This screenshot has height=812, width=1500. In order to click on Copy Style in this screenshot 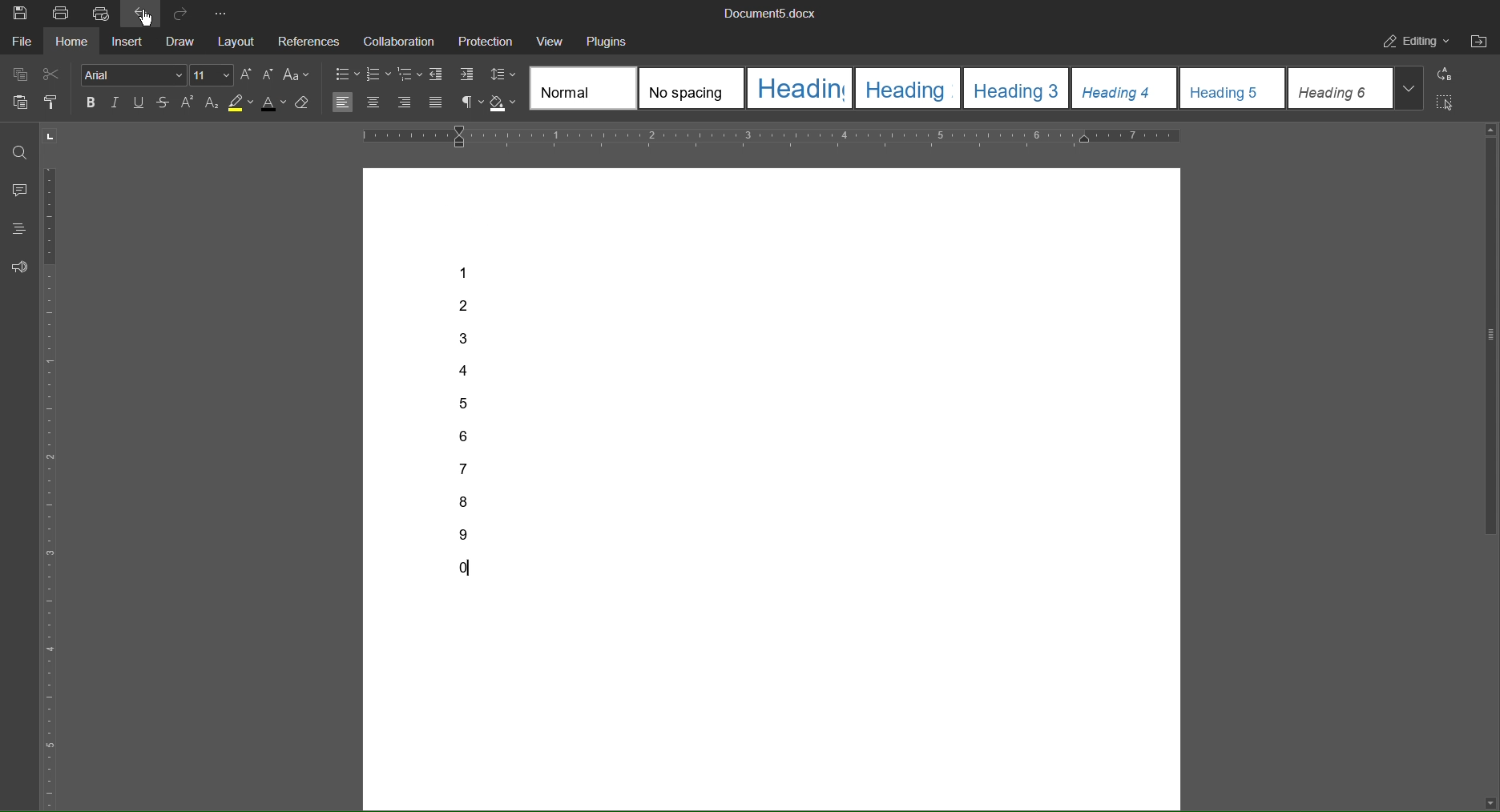, I will do `click(54, 103)`.